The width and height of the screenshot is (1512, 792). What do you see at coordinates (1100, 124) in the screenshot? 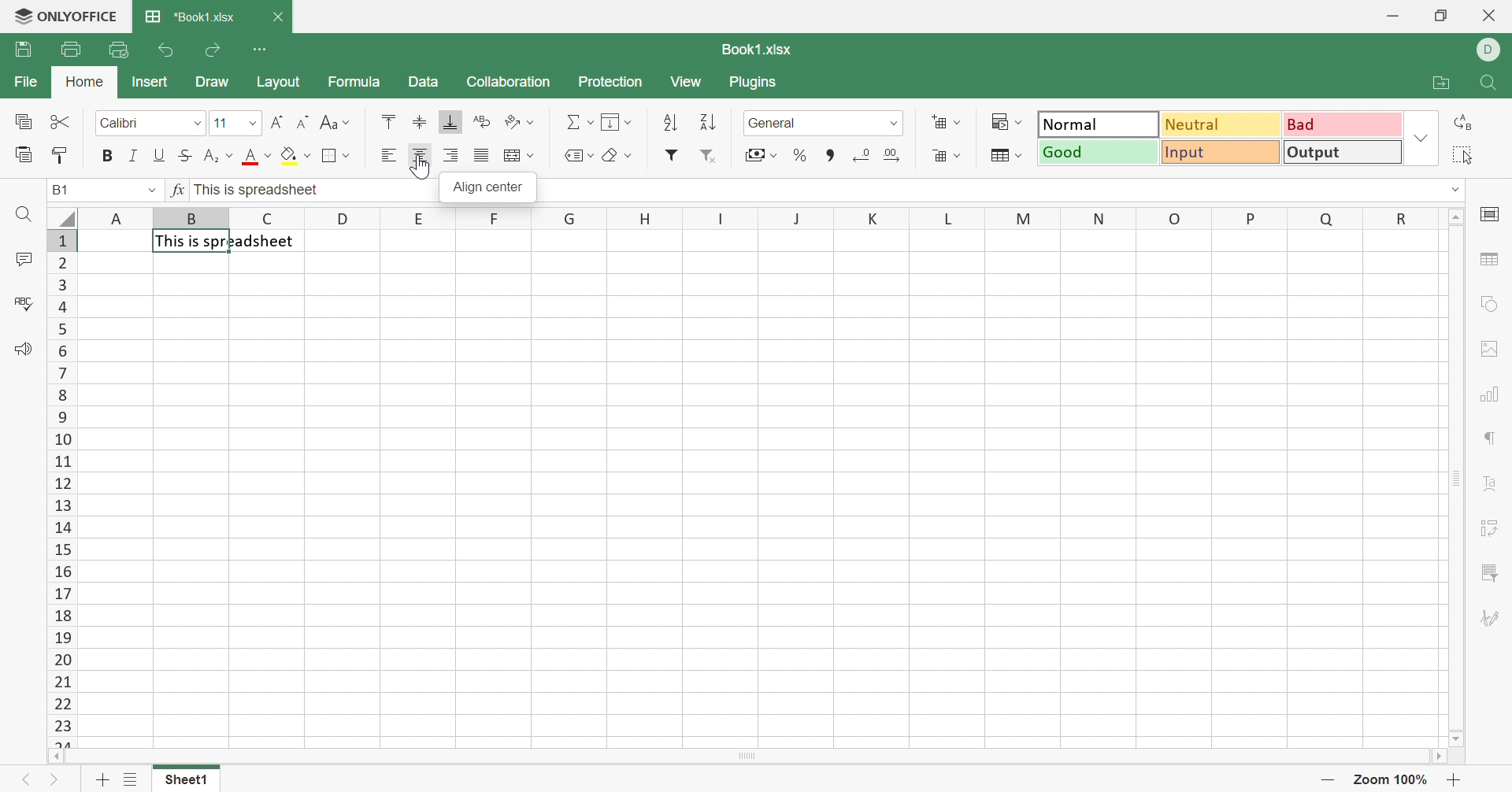
I see `Normal` at bounding box center [1100, 124].